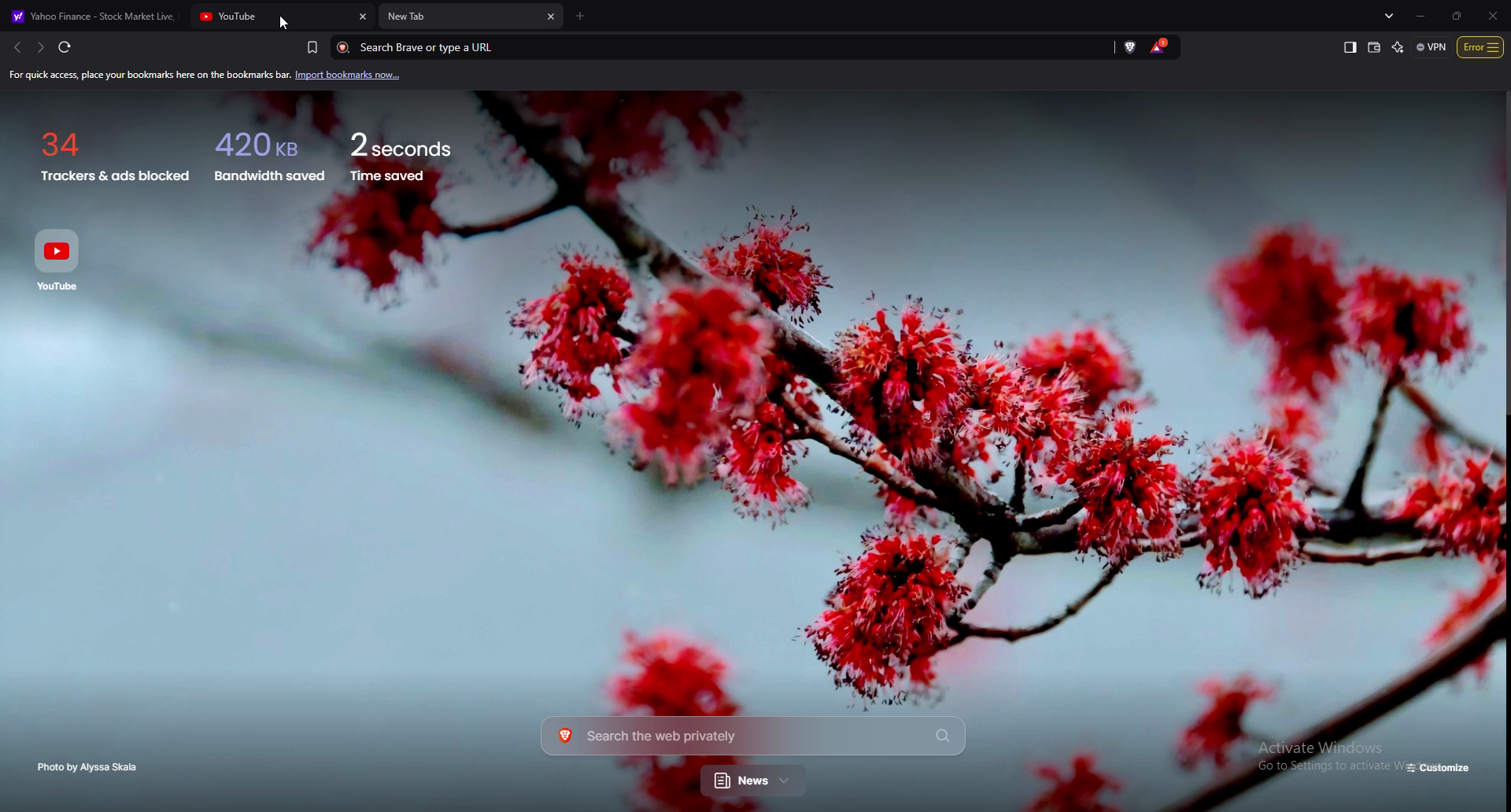 Image resolution: width=1511 pixels, height=812 pixels. Describe the element at coordinates (755, 782) in the screenshot. I see `news` at that location.